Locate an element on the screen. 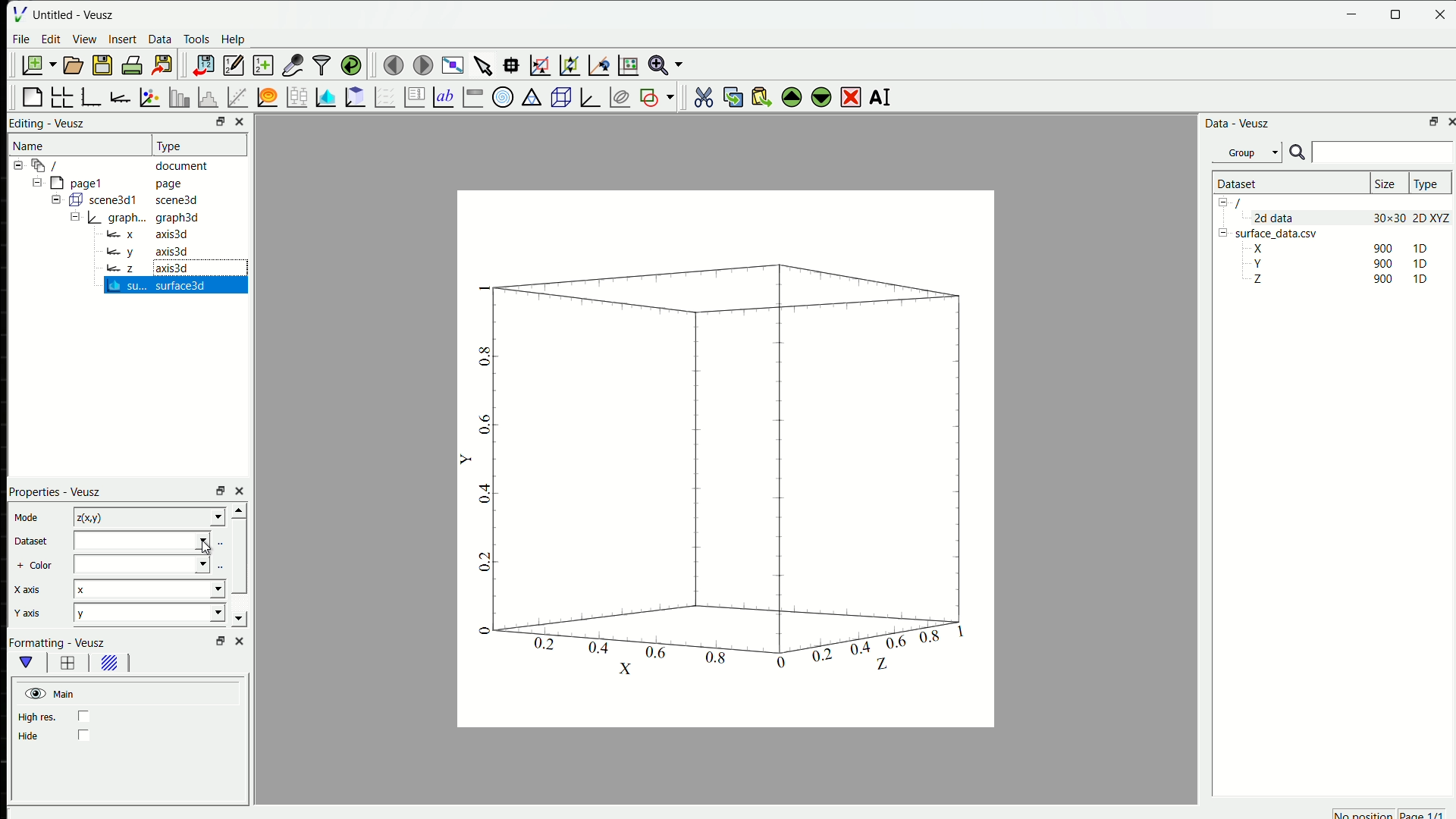 Image resolution: width=1456 pixels, height=819 pixels. Collapse /expand is located at coordinates (36, 182).